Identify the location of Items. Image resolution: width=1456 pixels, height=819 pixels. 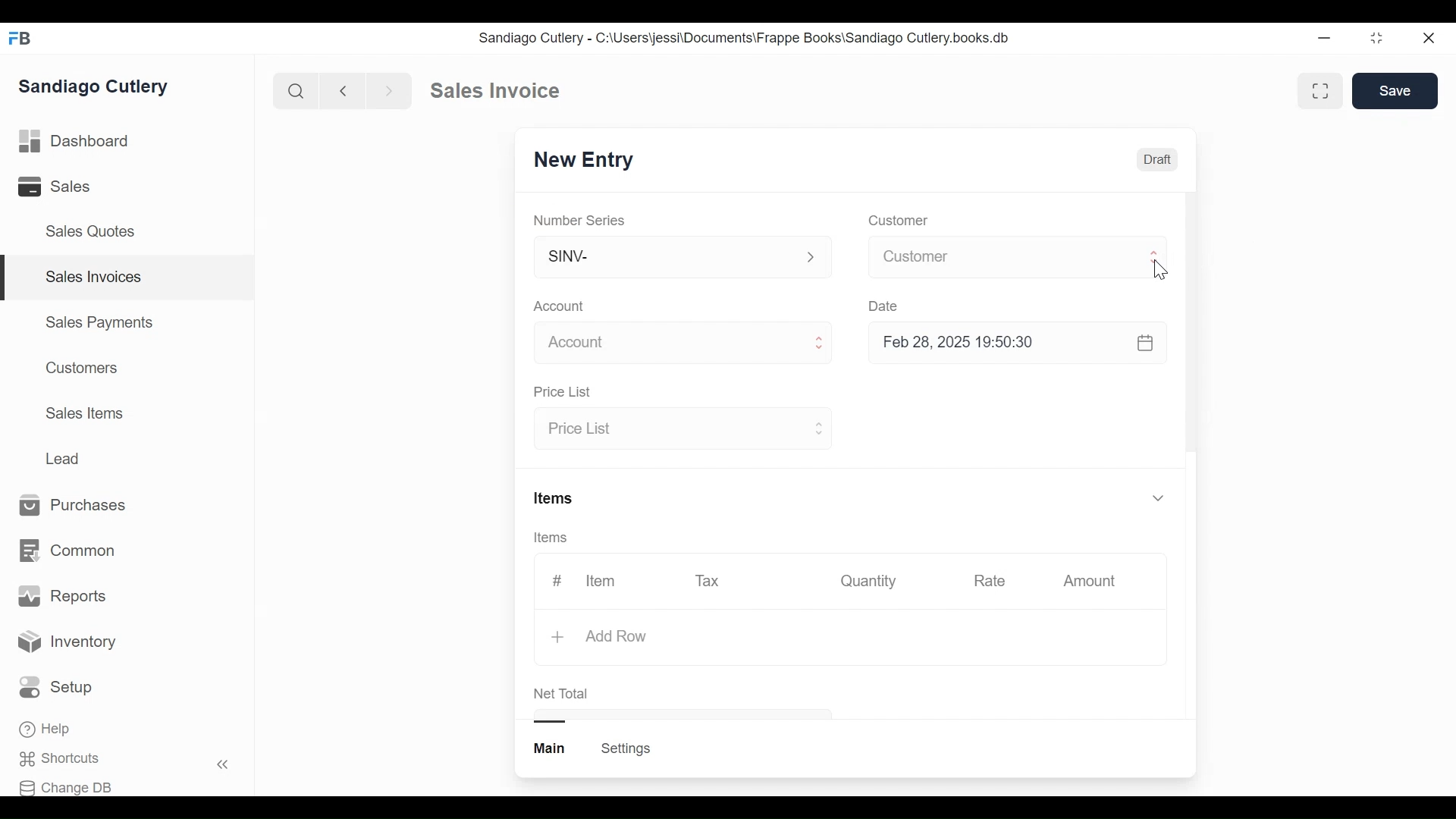
(552, 538).